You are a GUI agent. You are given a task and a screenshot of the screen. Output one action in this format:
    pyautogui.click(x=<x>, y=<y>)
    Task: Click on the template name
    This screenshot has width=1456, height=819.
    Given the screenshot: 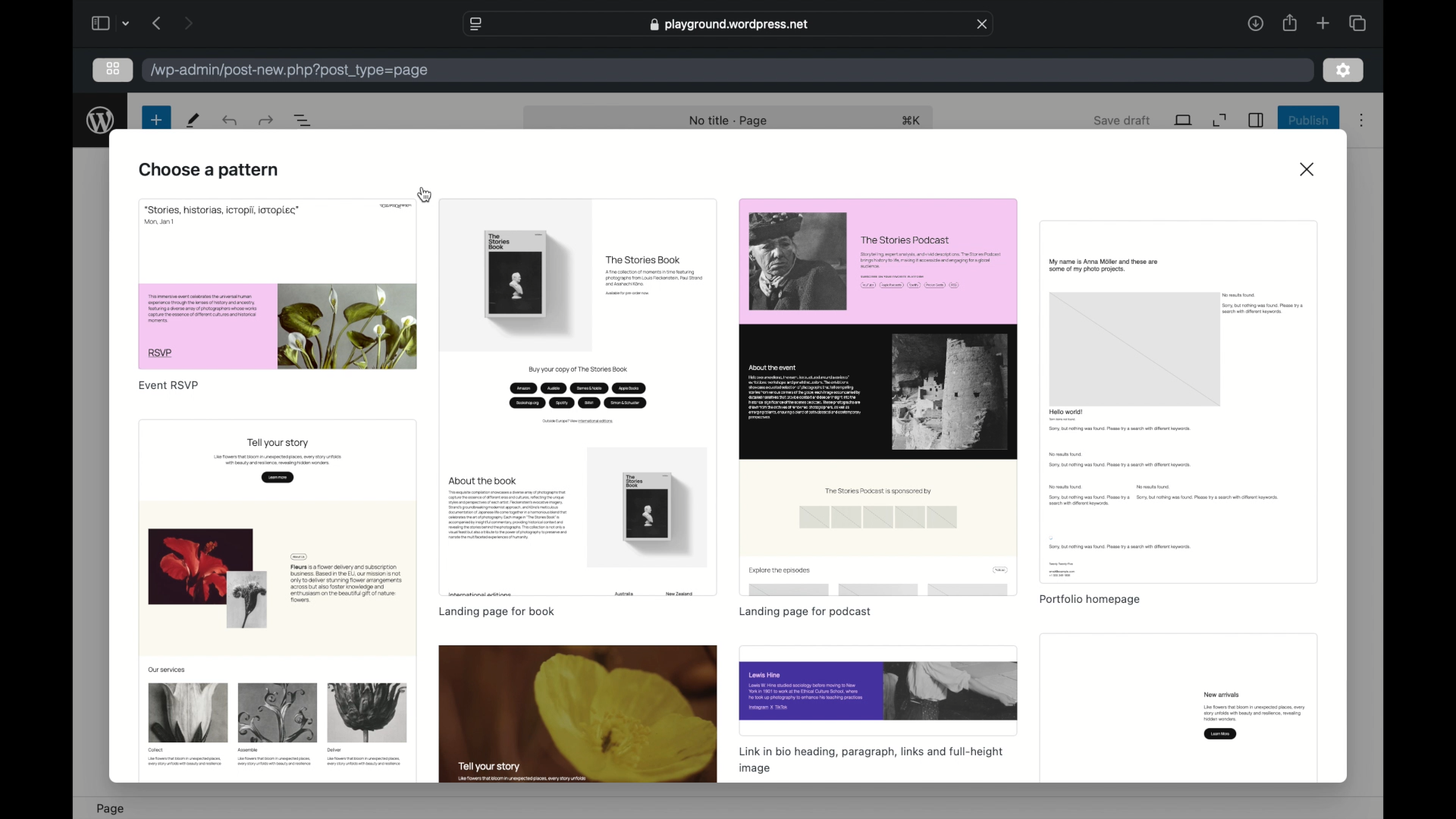 What is the action you would take?
    pyautogui.click(x=169, y=386)
    